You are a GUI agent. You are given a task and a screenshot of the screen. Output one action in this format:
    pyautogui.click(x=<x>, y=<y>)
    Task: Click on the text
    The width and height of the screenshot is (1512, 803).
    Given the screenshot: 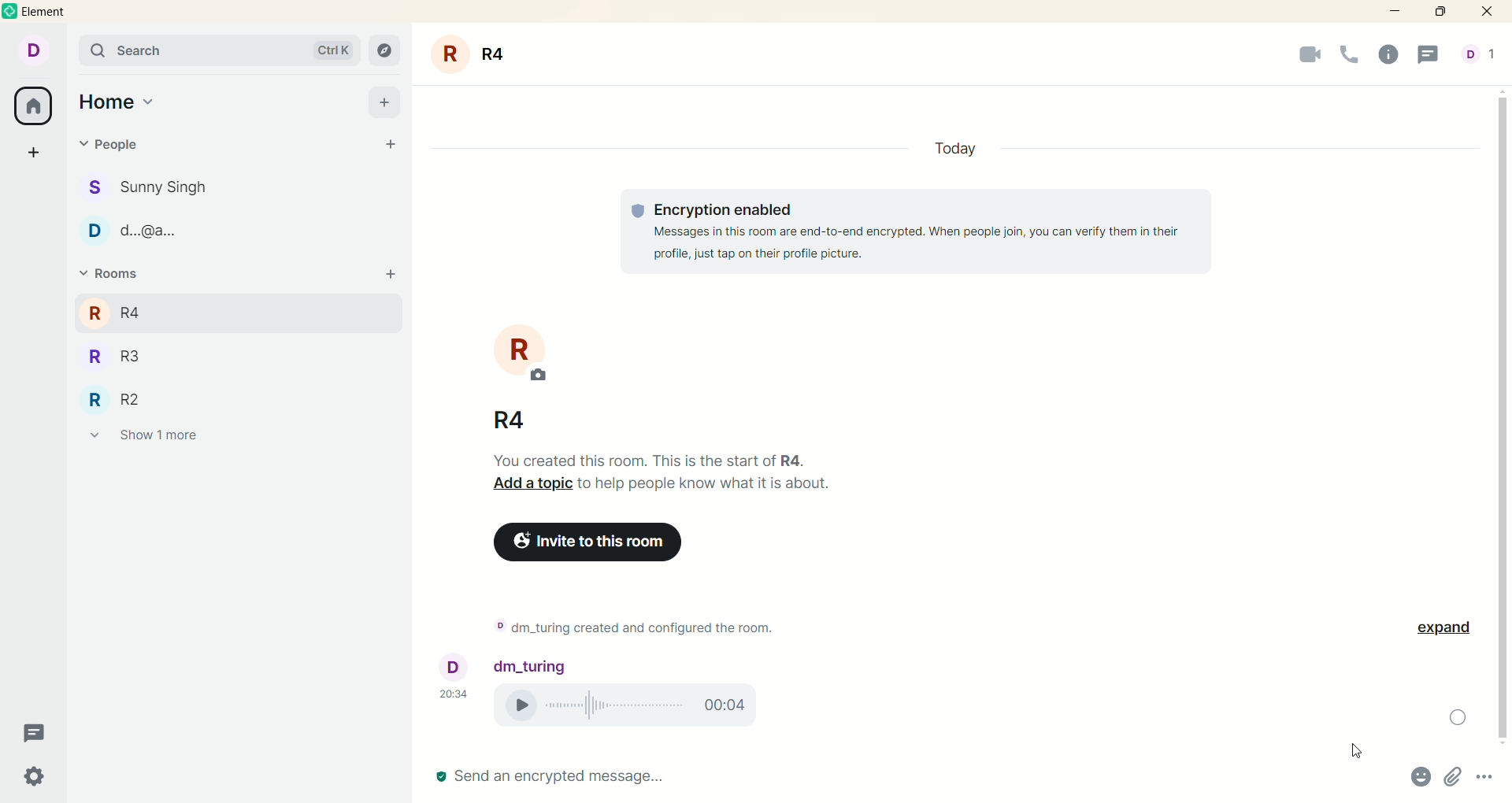 What is the action you would take?
    pyautogui.click(x=923, y=238)
    